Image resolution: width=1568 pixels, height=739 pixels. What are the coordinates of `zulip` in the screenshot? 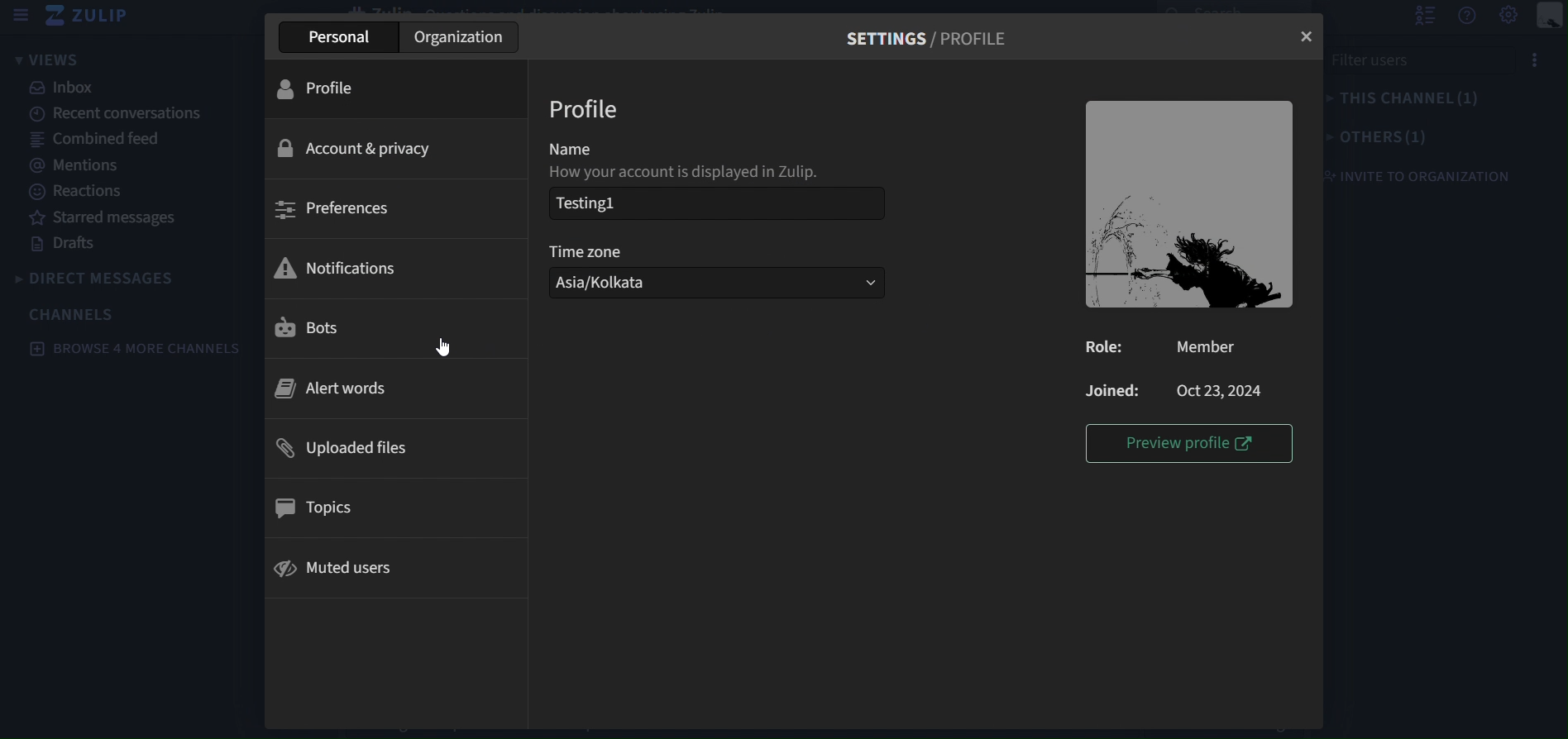 It's located at (93, 17).